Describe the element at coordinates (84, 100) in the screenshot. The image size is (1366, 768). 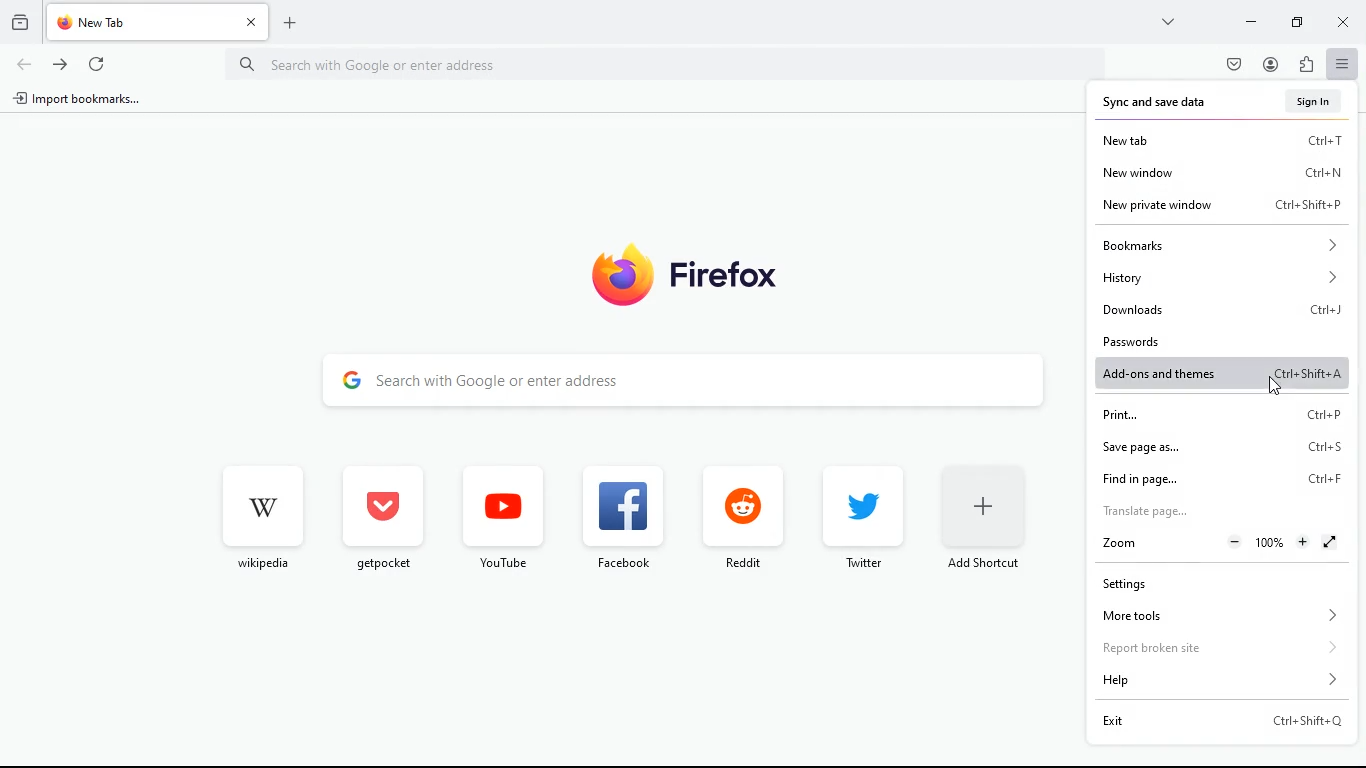
I see `import bookmarks` at that location.